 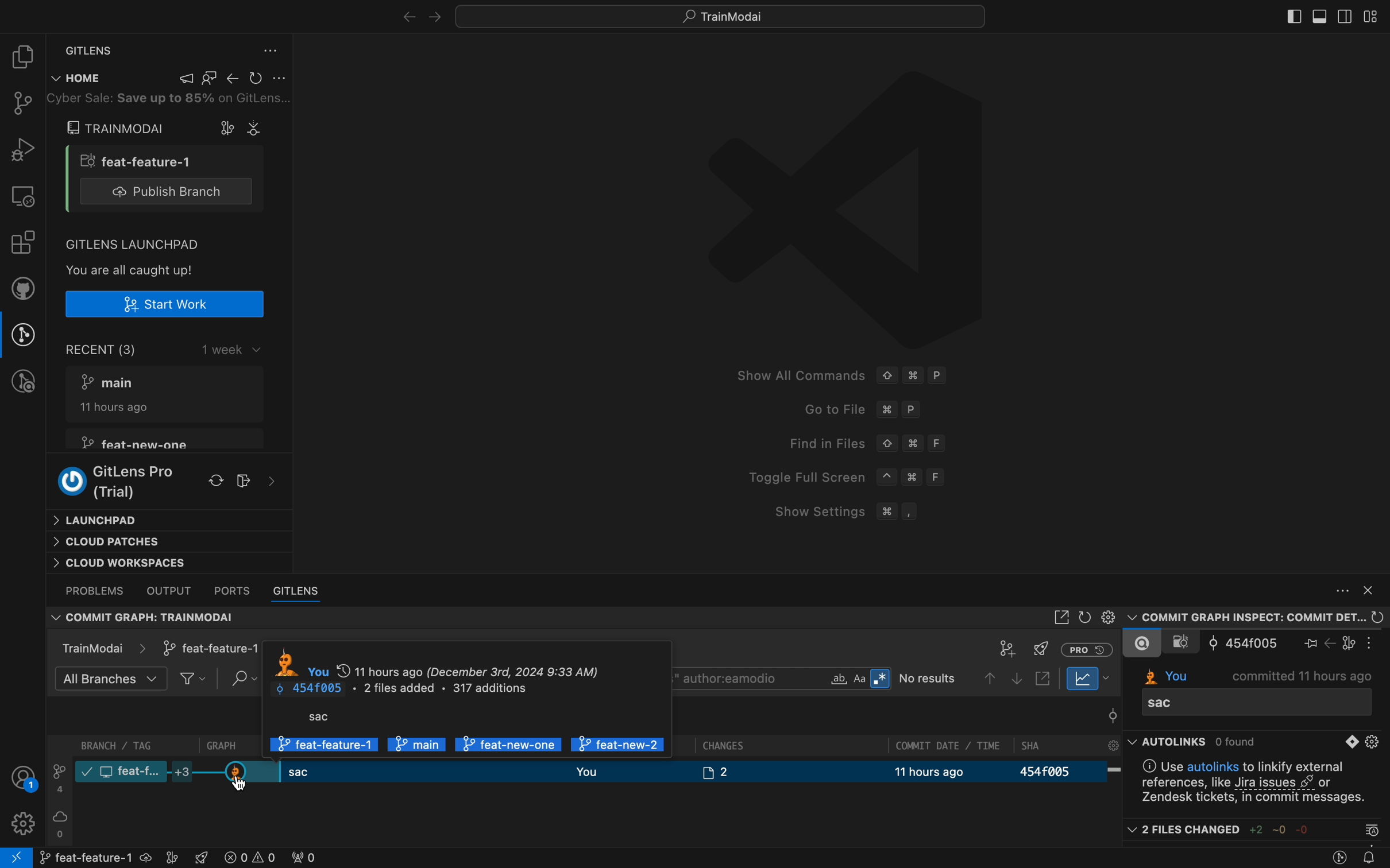 I want to click on 7° feat-new-one, so click(x=135, y=444).